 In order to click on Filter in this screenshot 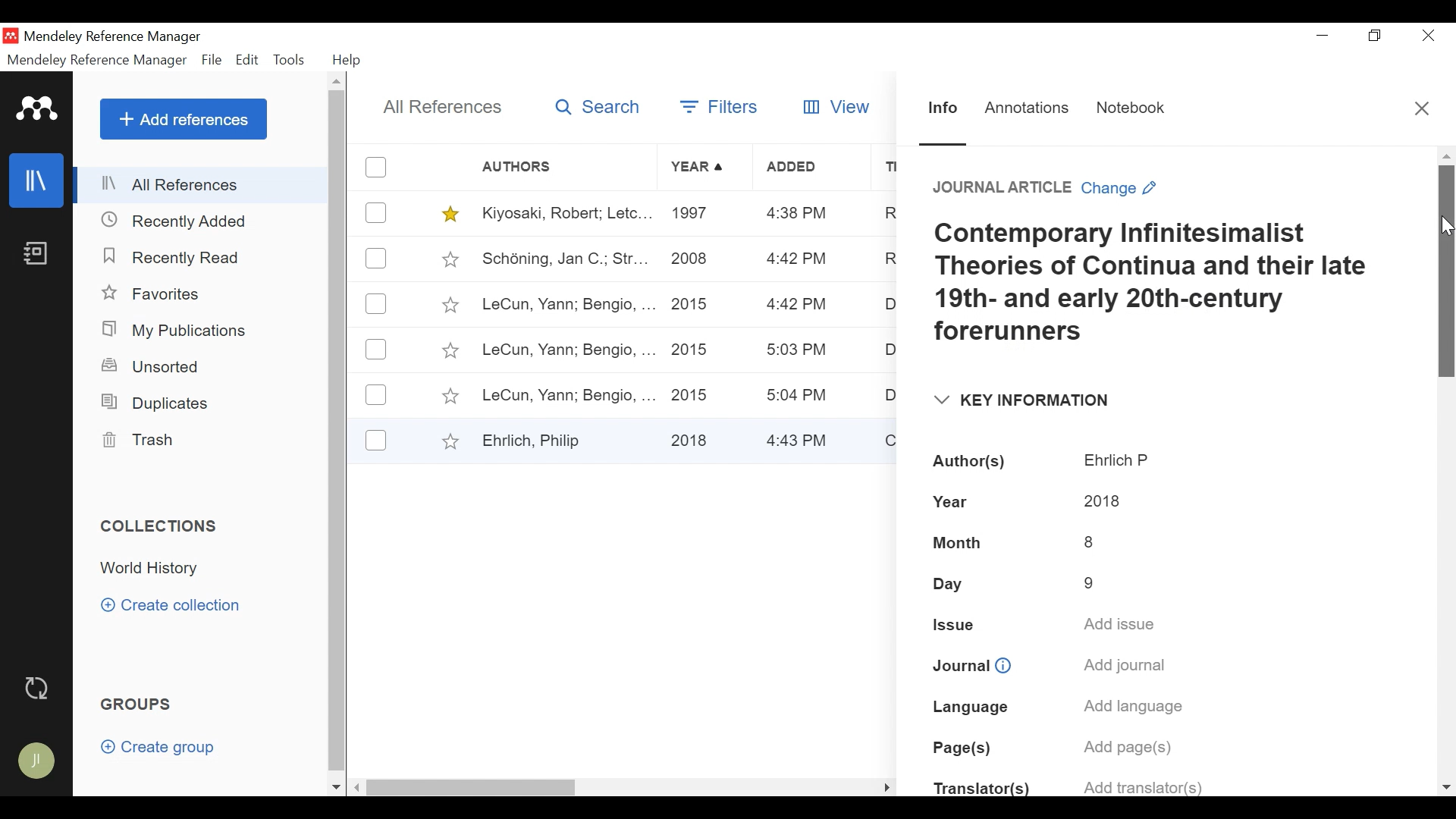, I will do `click(722, 109)`.